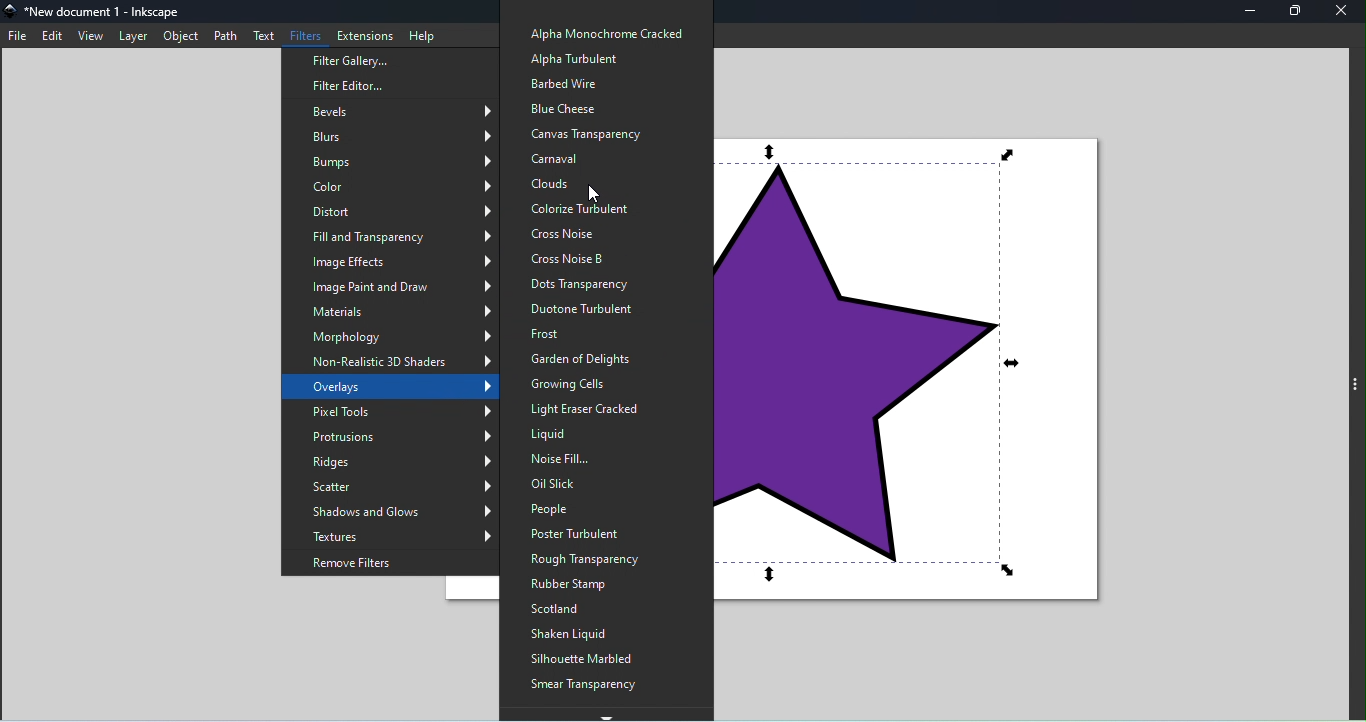  I want to click on Colorize turbulent, so click(608, 208).